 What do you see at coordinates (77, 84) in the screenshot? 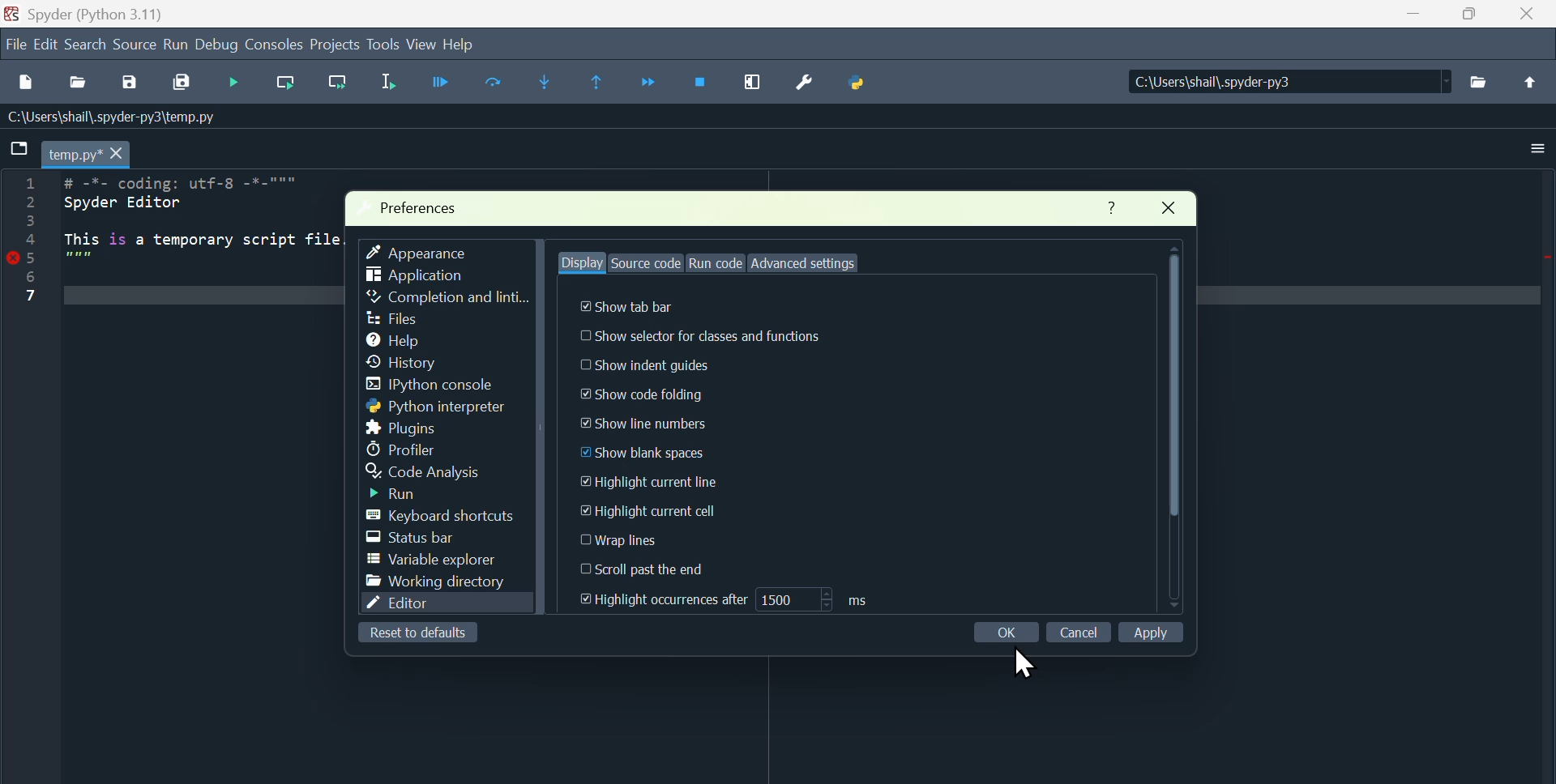
I see `open file` at bounding box center [77, 84].